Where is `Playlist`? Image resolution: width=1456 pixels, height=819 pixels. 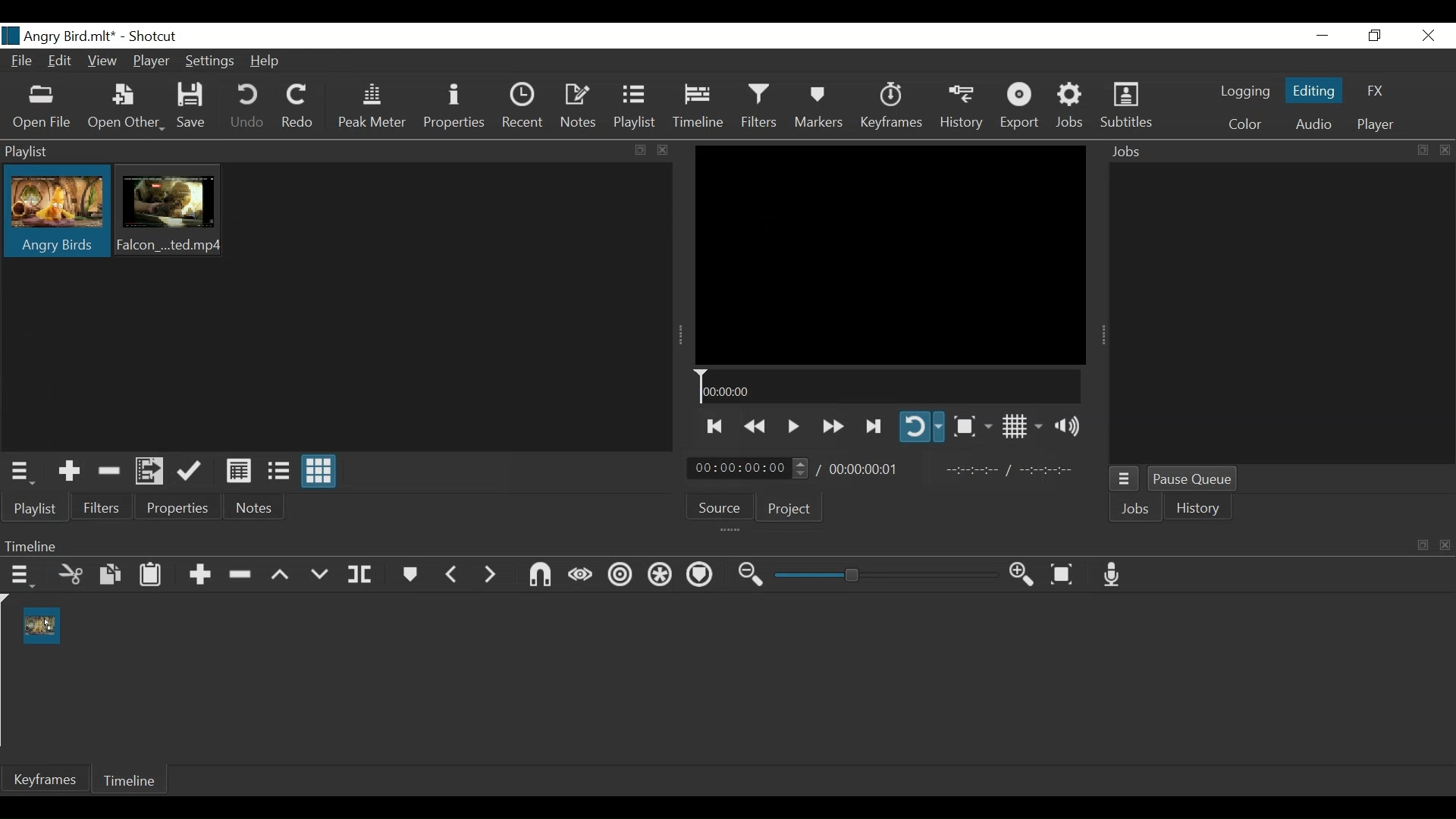 Playlist is located at coordinates (638, 108).